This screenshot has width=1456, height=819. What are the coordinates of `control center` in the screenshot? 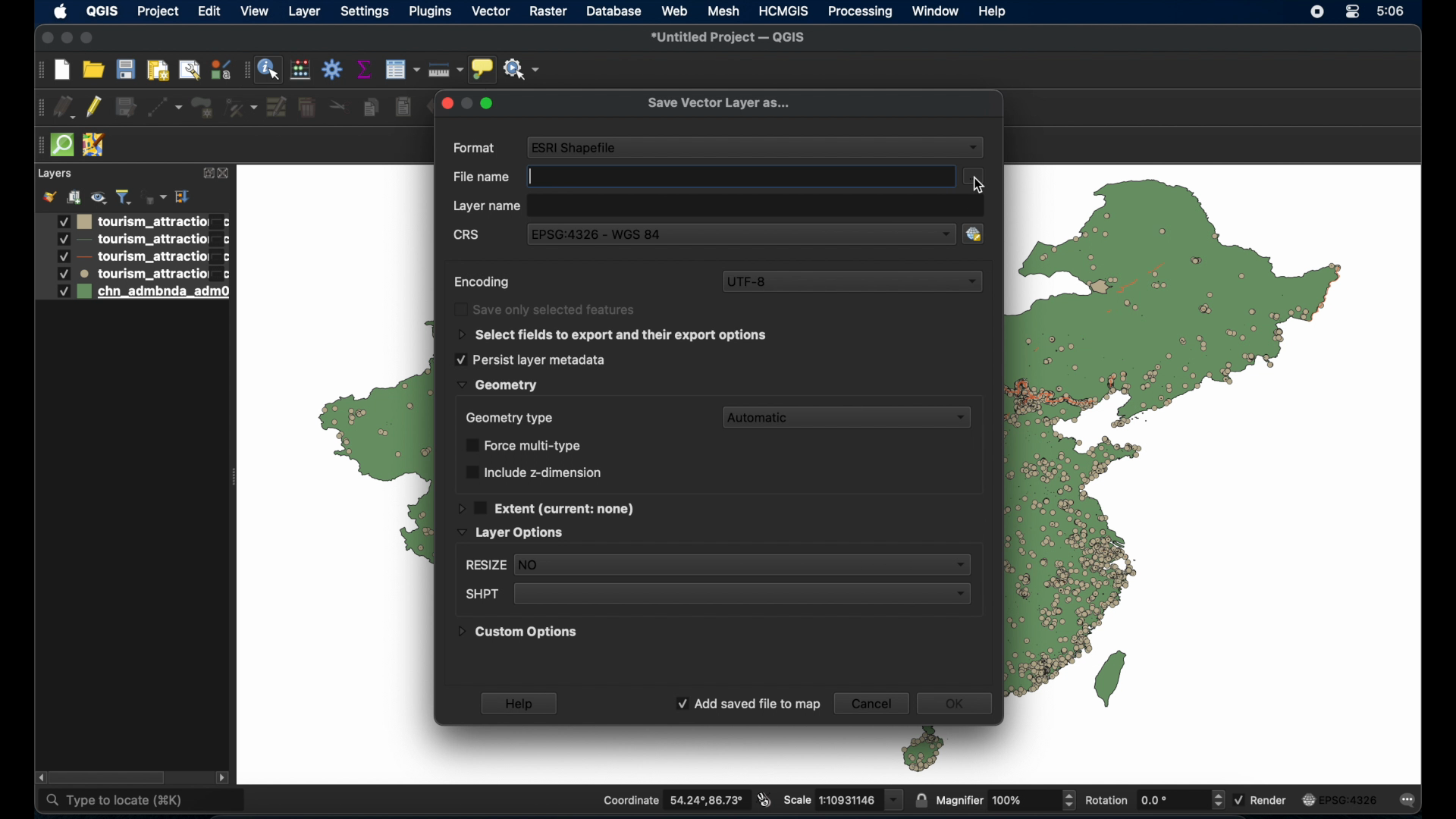 It's located at (1355, 13).